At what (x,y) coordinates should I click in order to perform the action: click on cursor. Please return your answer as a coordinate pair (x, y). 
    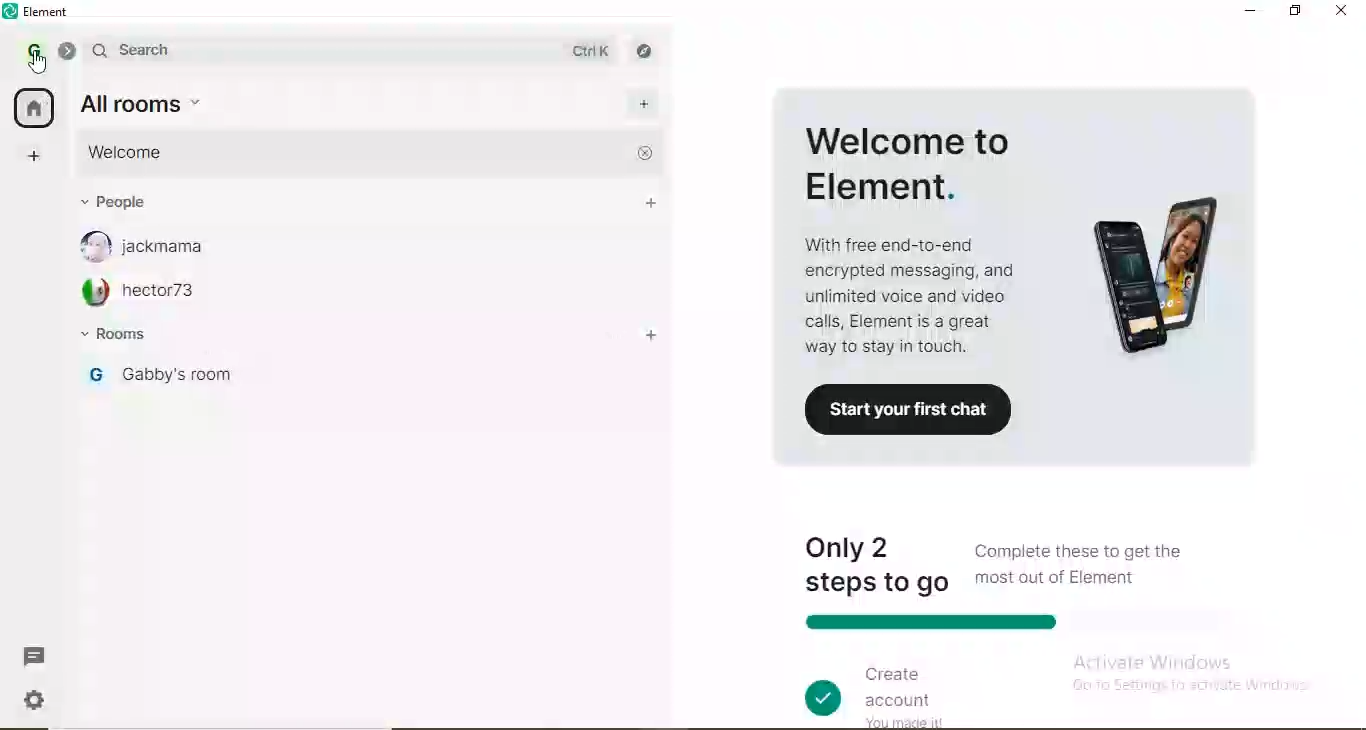
    Looking at the image, I should click on (37, 63).